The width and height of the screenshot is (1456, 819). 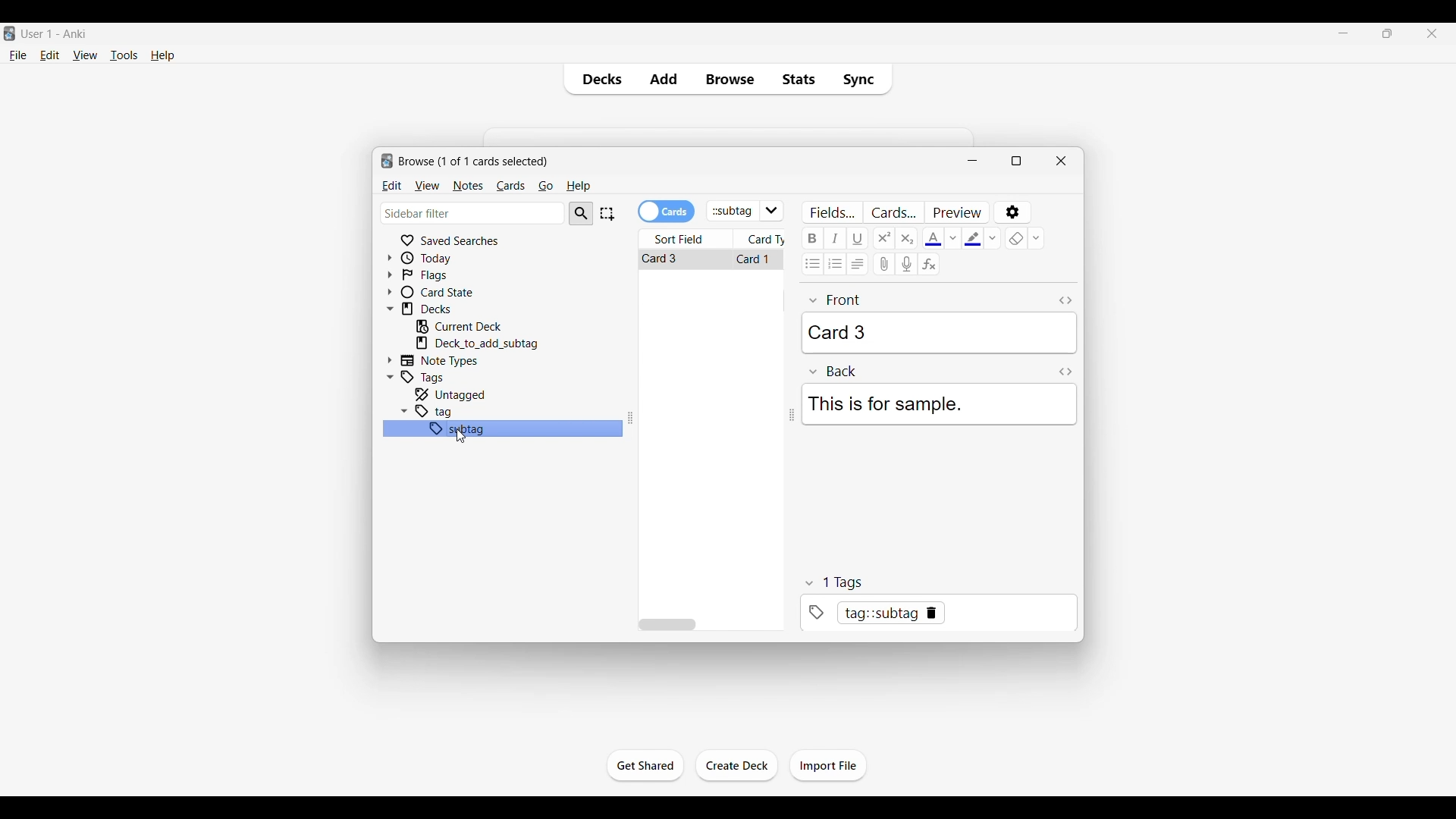 I want to click on This is for sample, so click(x=938, y=404).